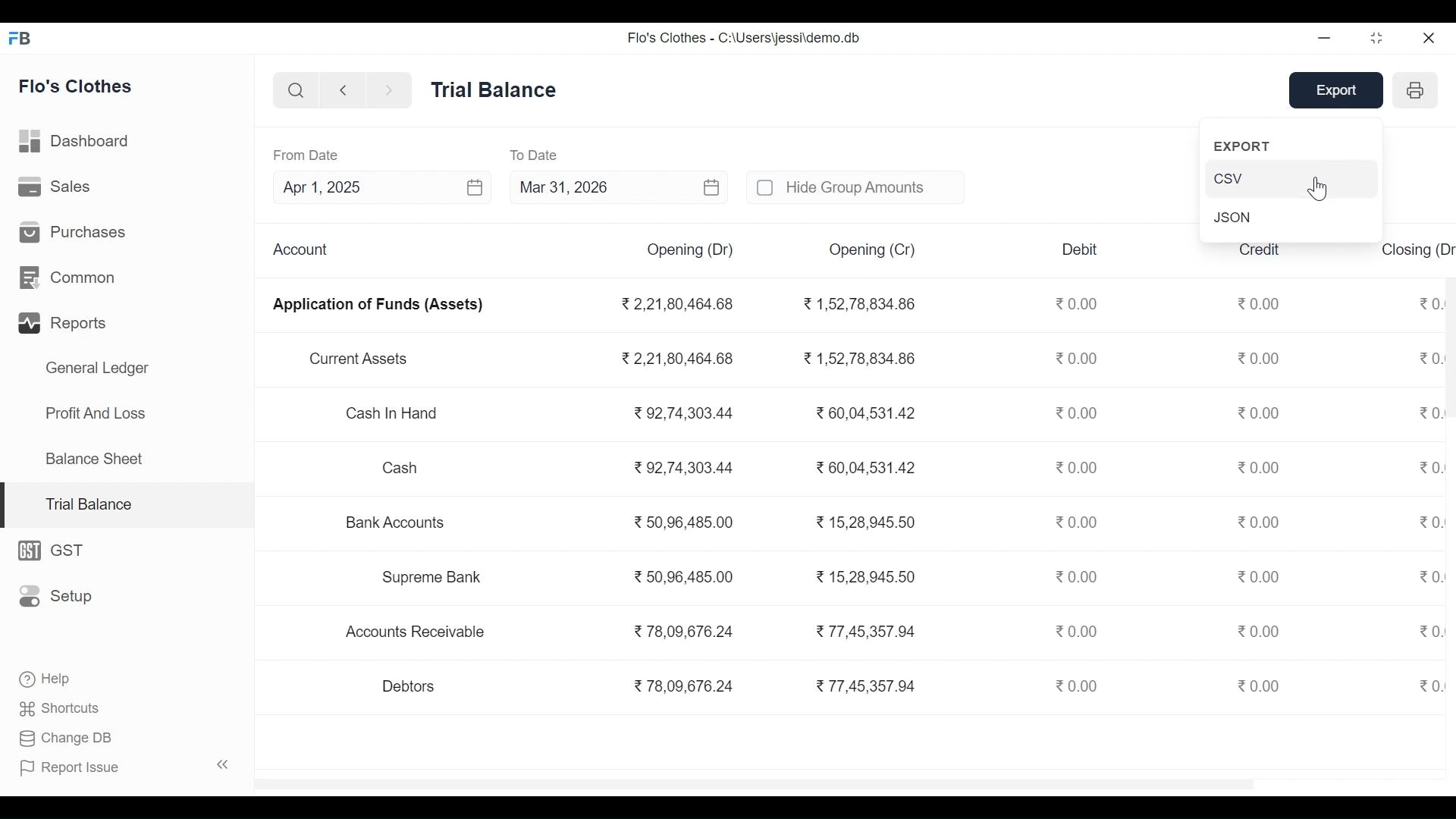  I want to click on 0.00, so click(1081, 359).